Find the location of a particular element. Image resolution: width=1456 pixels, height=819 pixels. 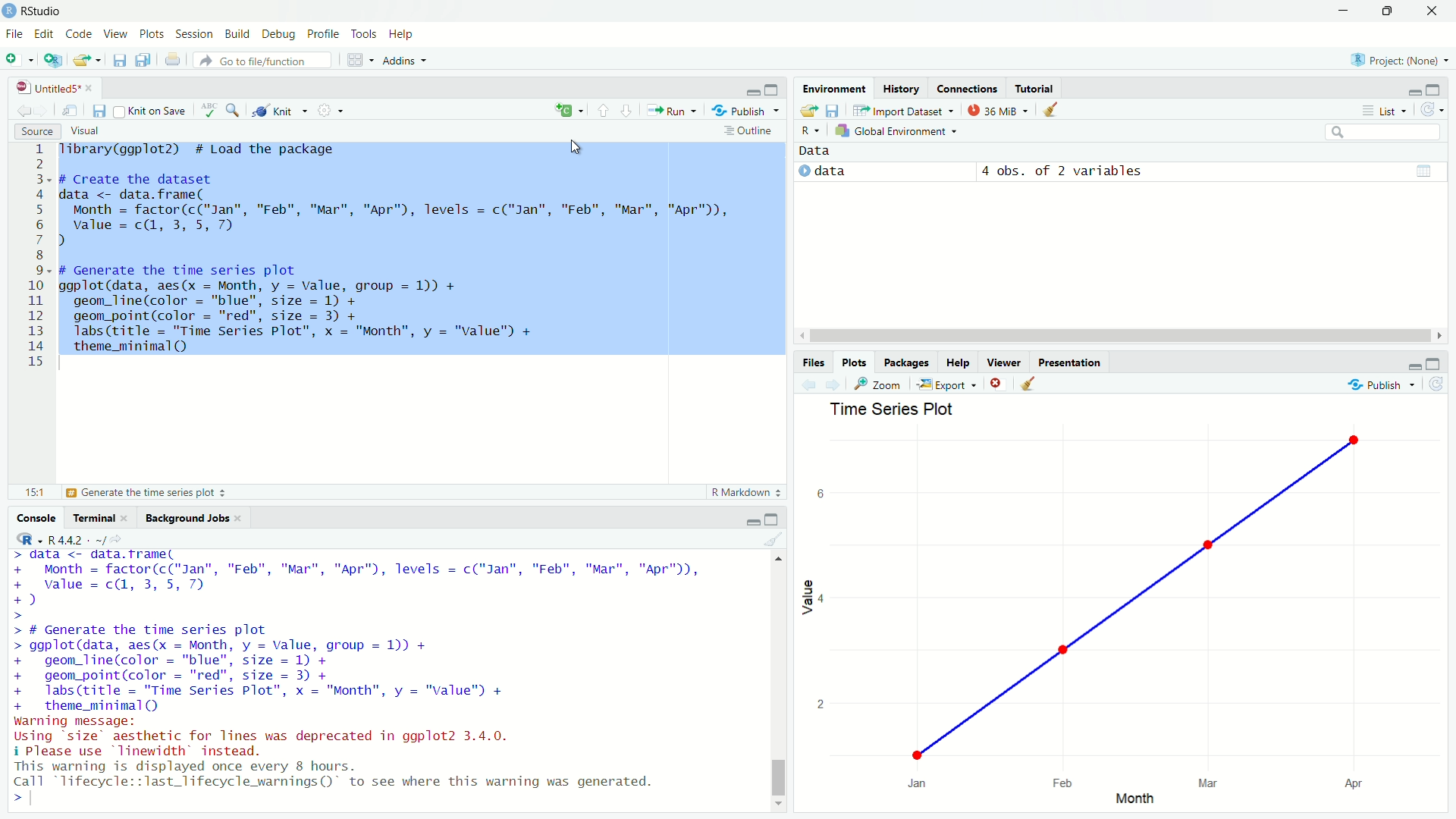

RStudio is located at coordinates (47, 11).